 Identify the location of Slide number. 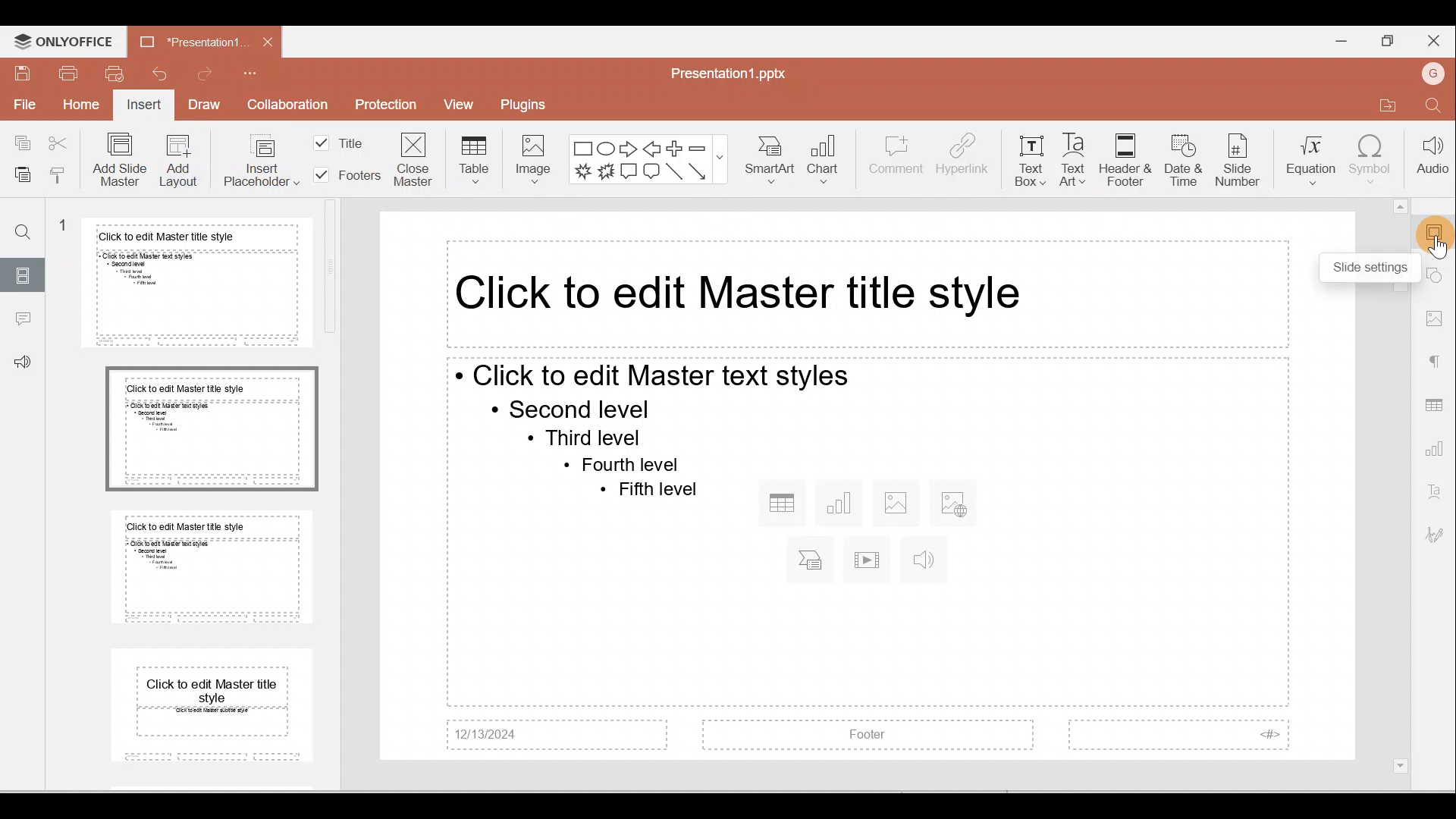
(1238, 162).